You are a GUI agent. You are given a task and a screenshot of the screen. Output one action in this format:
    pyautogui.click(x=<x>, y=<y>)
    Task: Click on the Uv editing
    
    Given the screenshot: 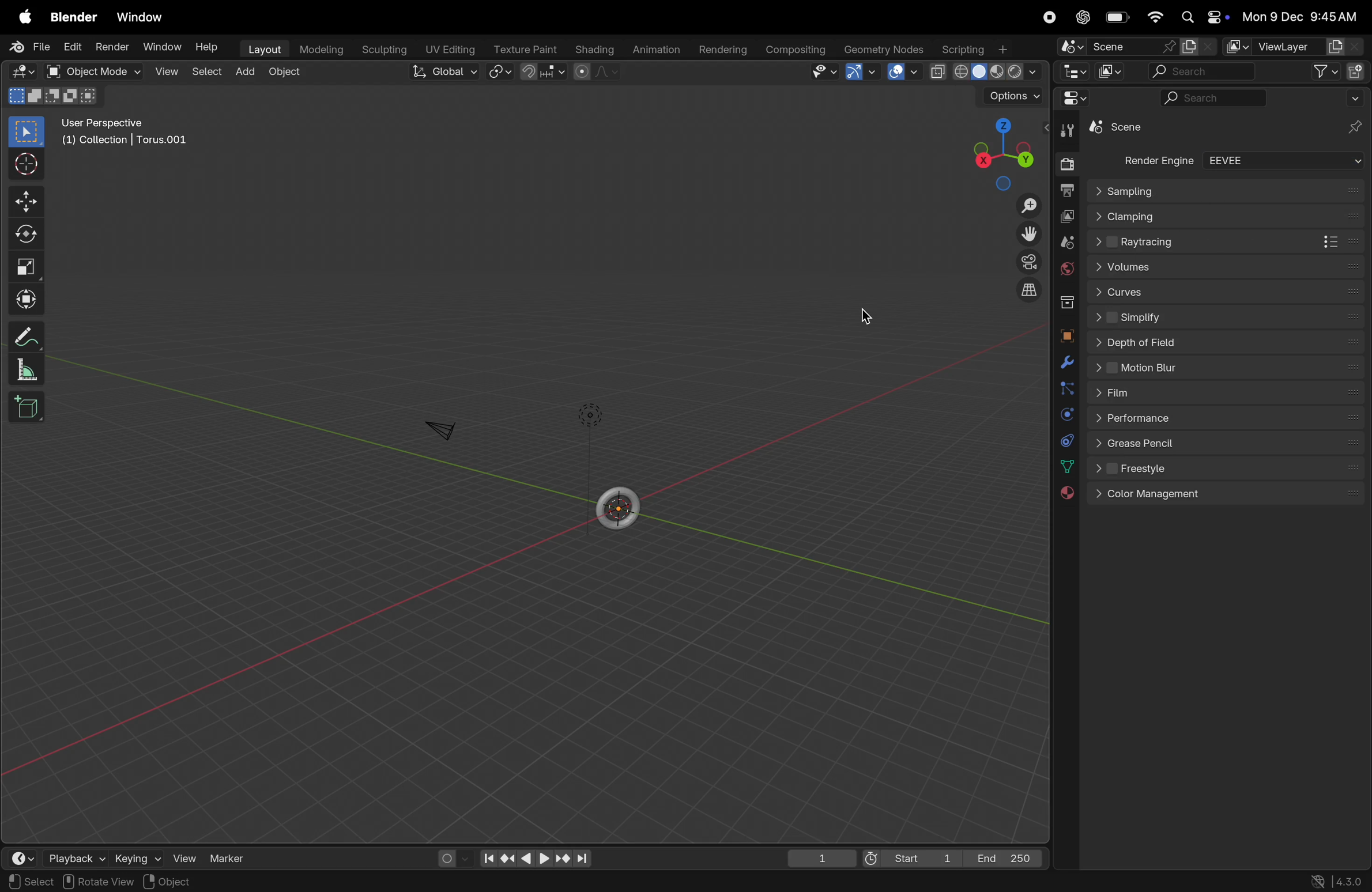 What is the action you would take?
    pyautogui.click(x=450, y=48)
    